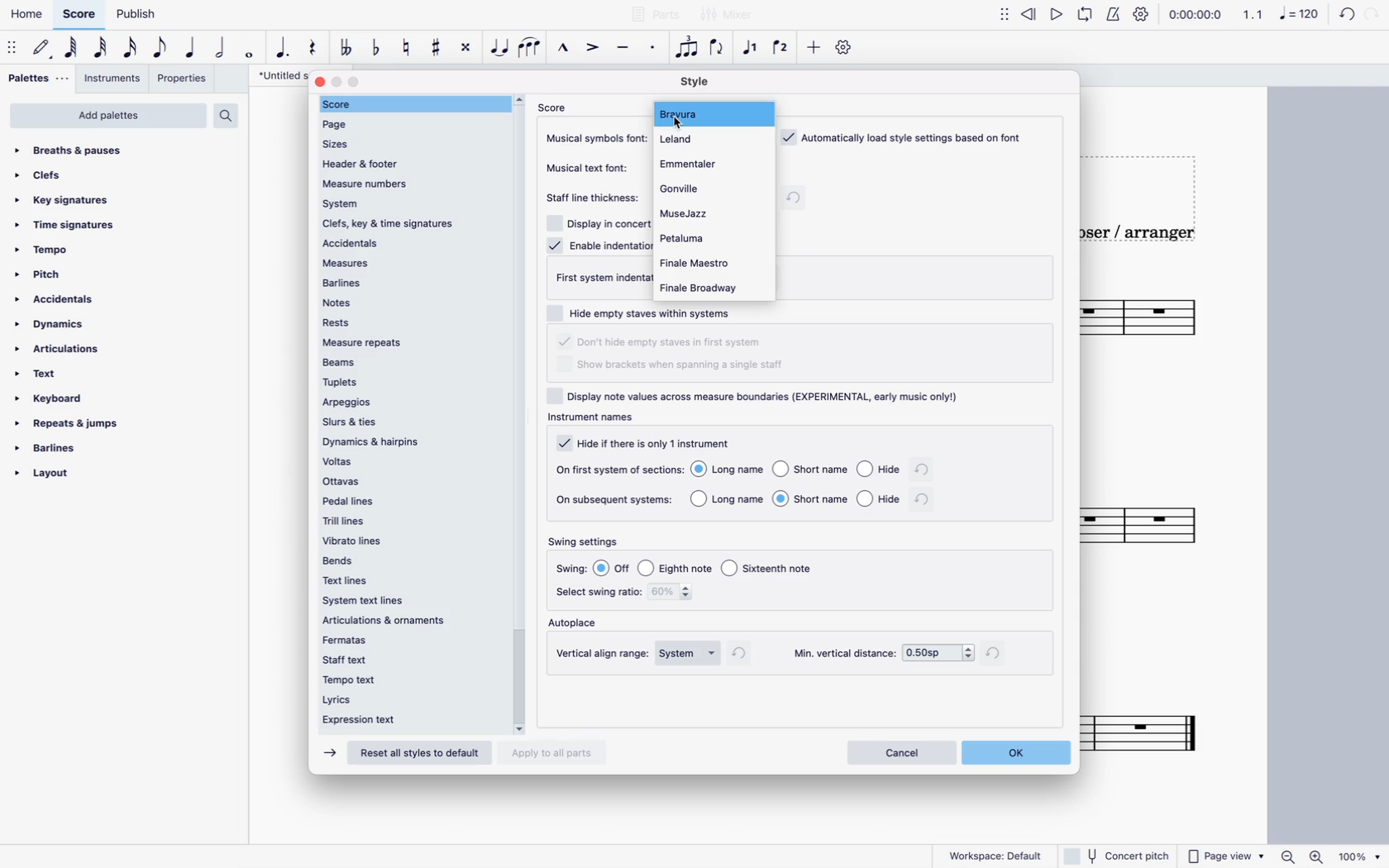 This screenshot has height=868, width=1389. What do you see at coordinates (411, 639) in the screenshot?
I see `fermatas` at bounding box center [411, 639].